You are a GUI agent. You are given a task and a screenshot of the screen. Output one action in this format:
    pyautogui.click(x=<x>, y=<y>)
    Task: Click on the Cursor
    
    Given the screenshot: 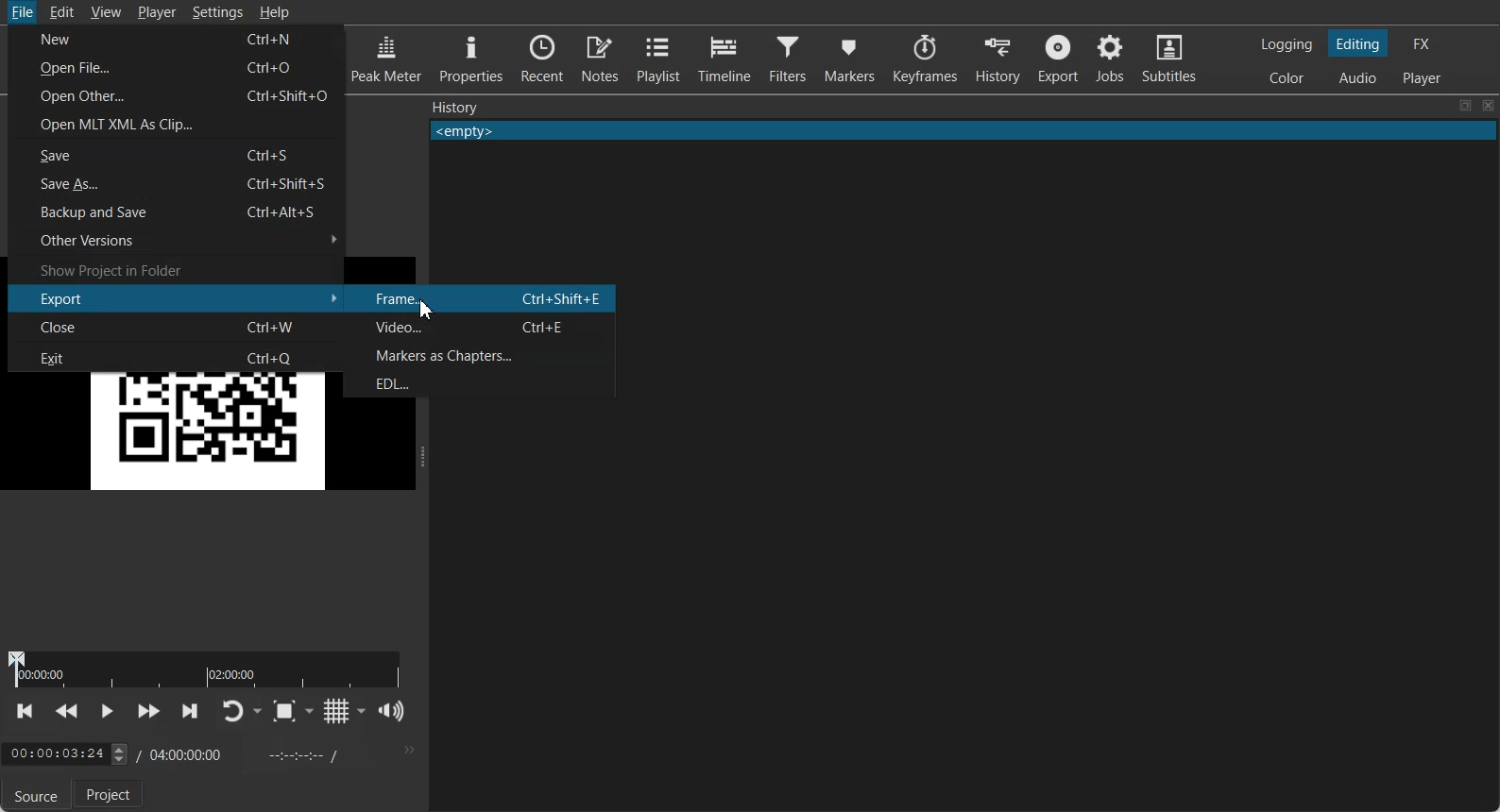 What is the action you would take?
    pyautogui.click(x=428, y=310)
    